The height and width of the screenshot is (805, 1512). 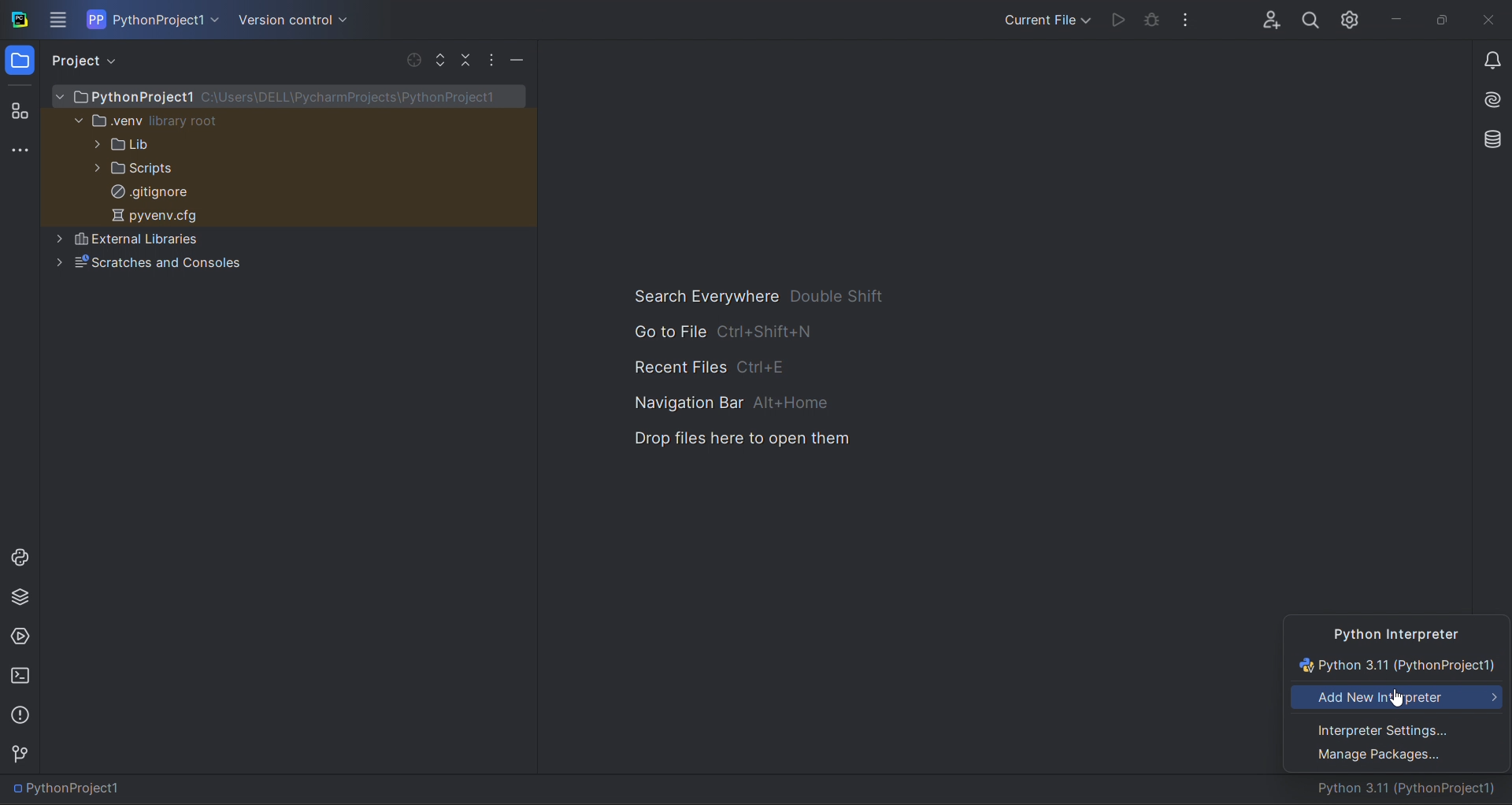 I want to click on search, so click(x=1310, y=17).